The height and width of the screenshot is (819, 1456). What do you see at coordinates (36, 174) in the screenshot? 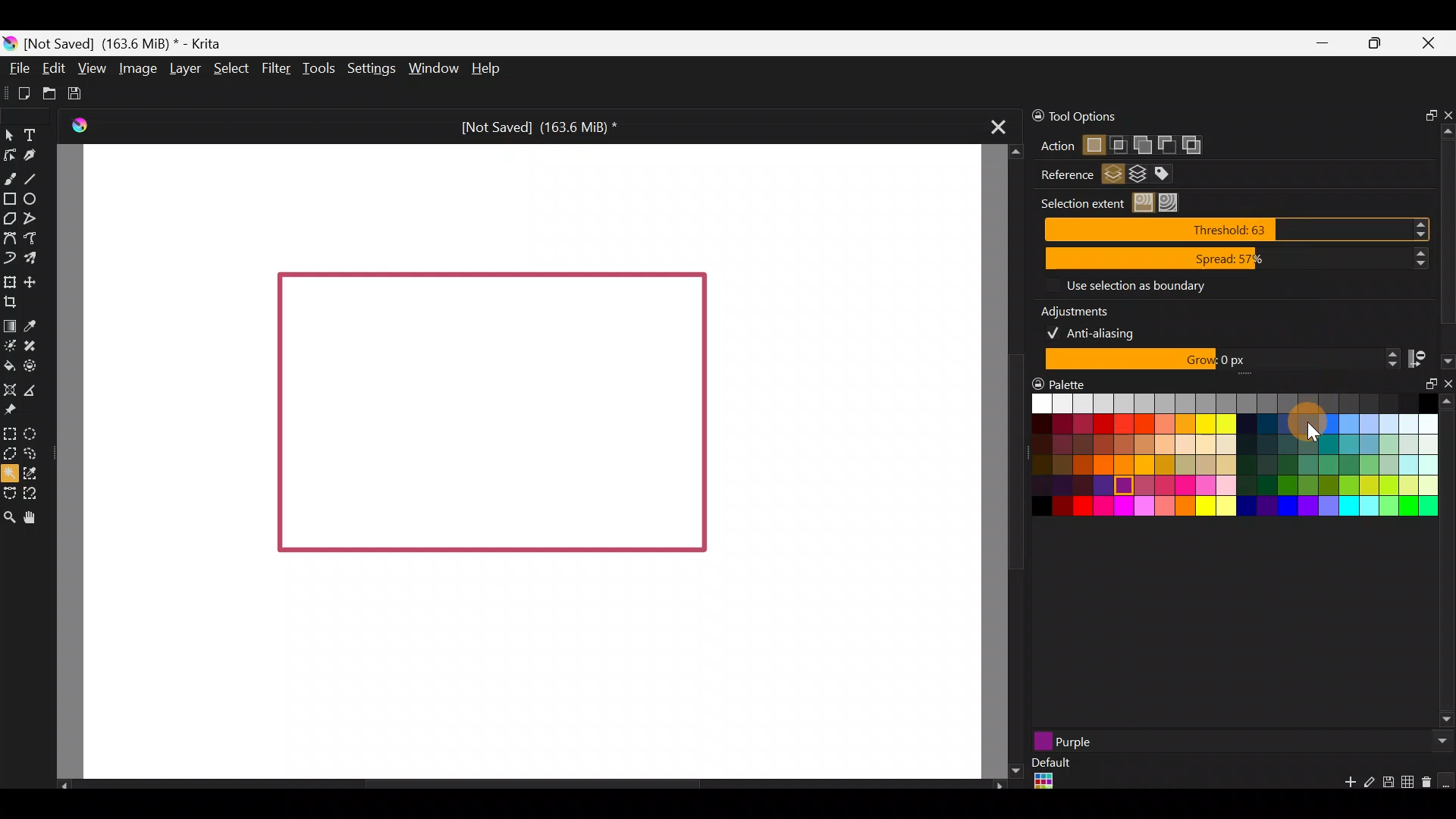
I see `Line tool` at bounding box center [36, 174].